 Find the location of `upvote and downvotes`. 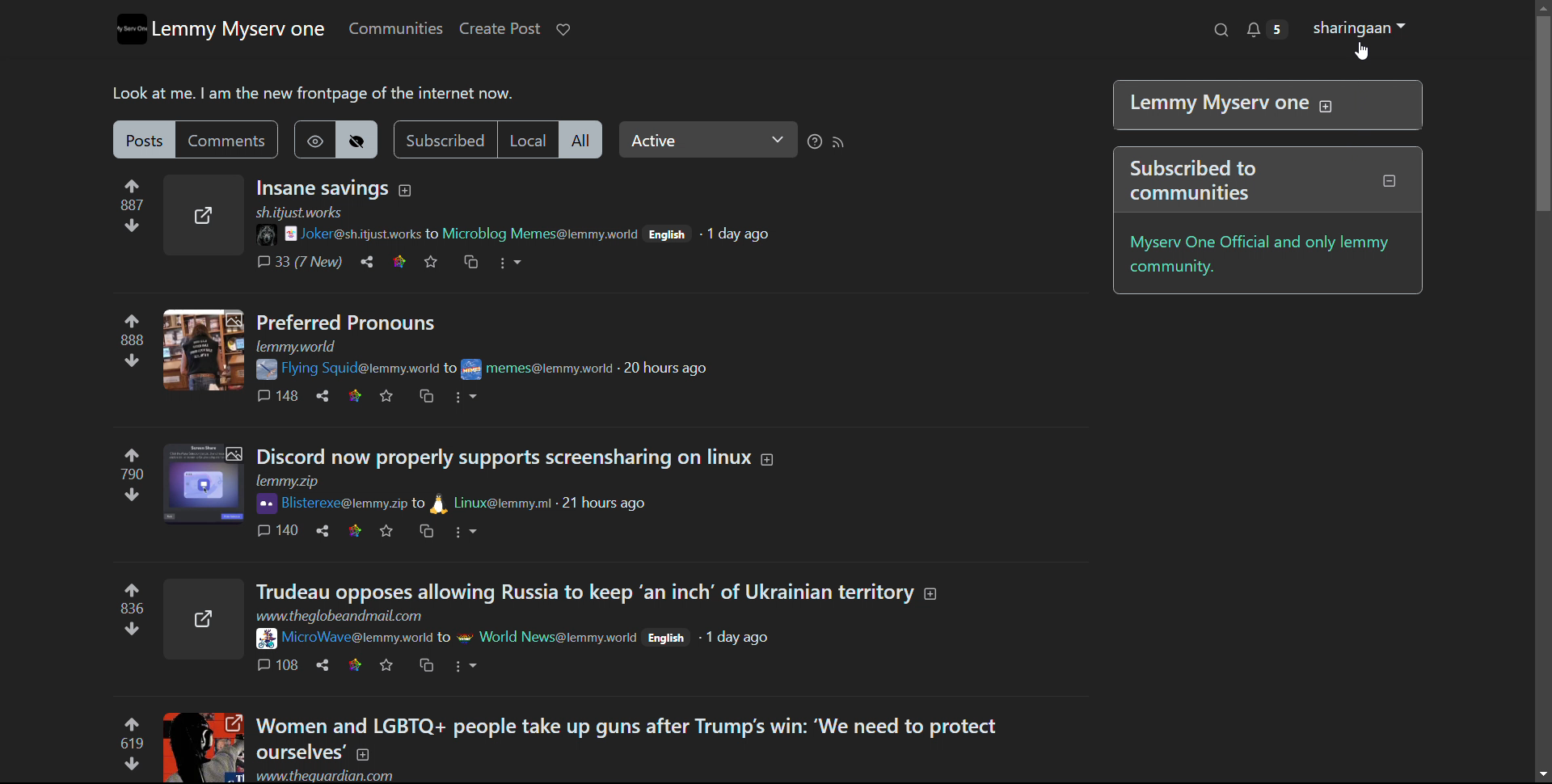

upvote and downvotes is located at coordinates (132, 341).